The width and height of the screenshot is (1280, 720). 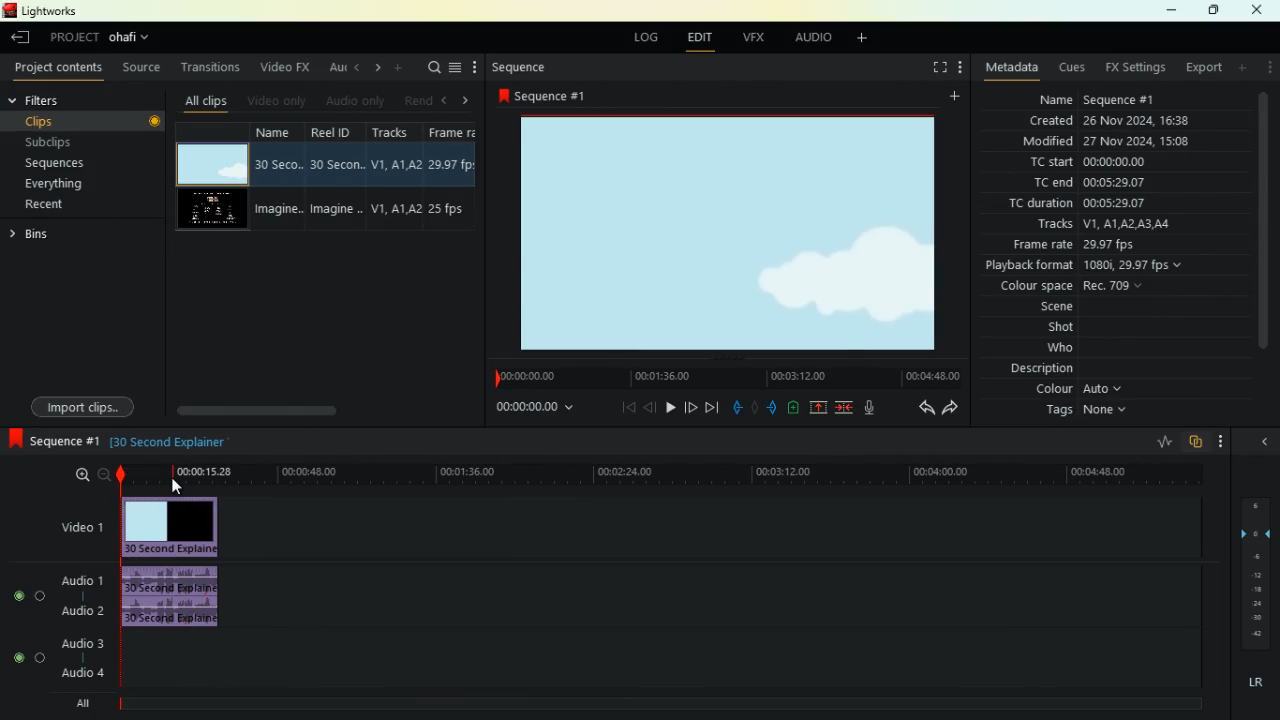 What do you see at coordinates (936, 69) in the screenshot?
I see `screen` at bounding box center [936, 69].